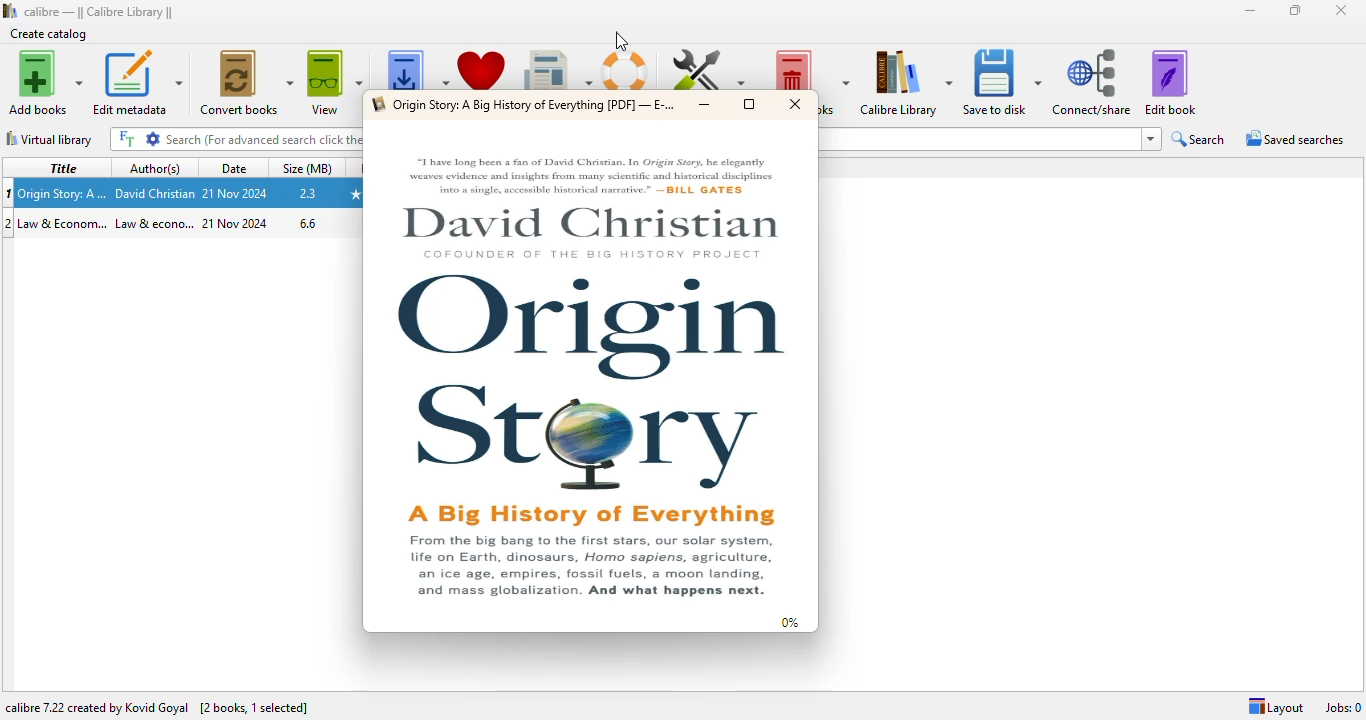  I want to click on calibre 7.22 created by Kovid Goyal, so click(97, 707).